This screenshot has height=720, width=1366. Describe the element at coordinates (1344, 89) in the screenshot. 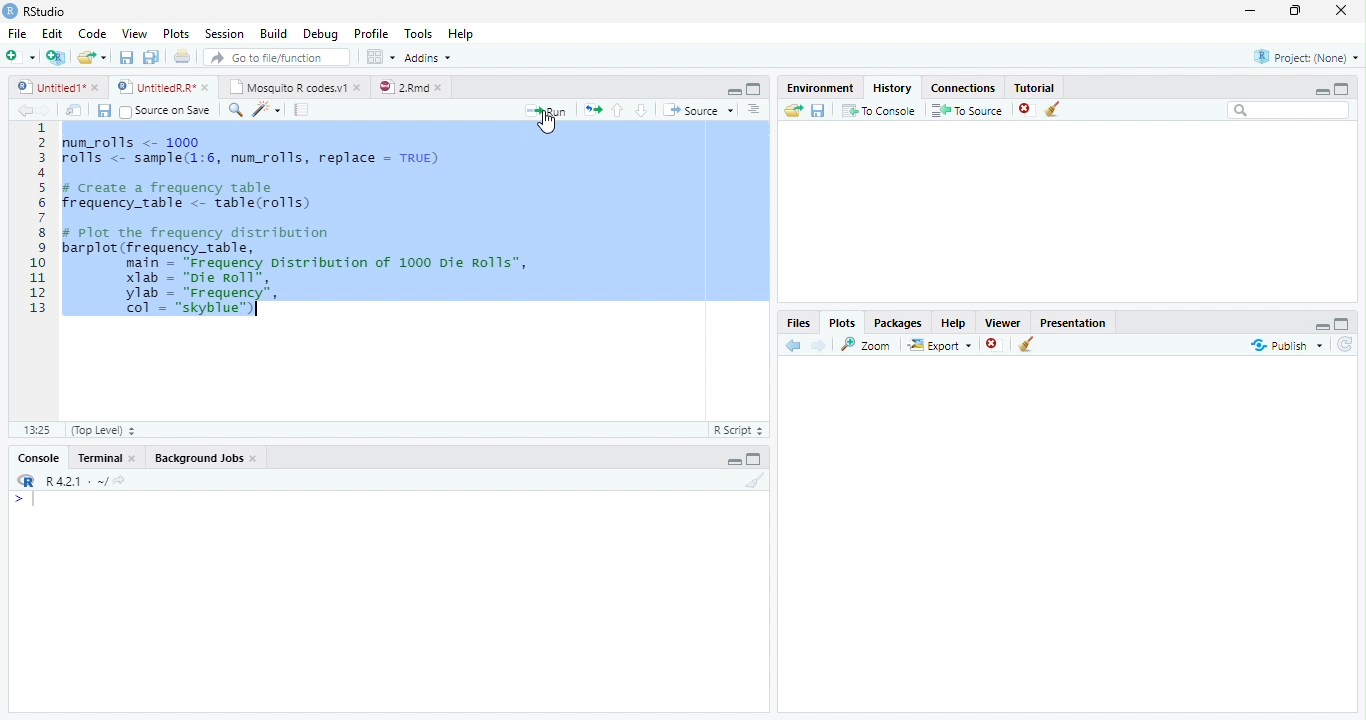

I see `Full Height` at that location.